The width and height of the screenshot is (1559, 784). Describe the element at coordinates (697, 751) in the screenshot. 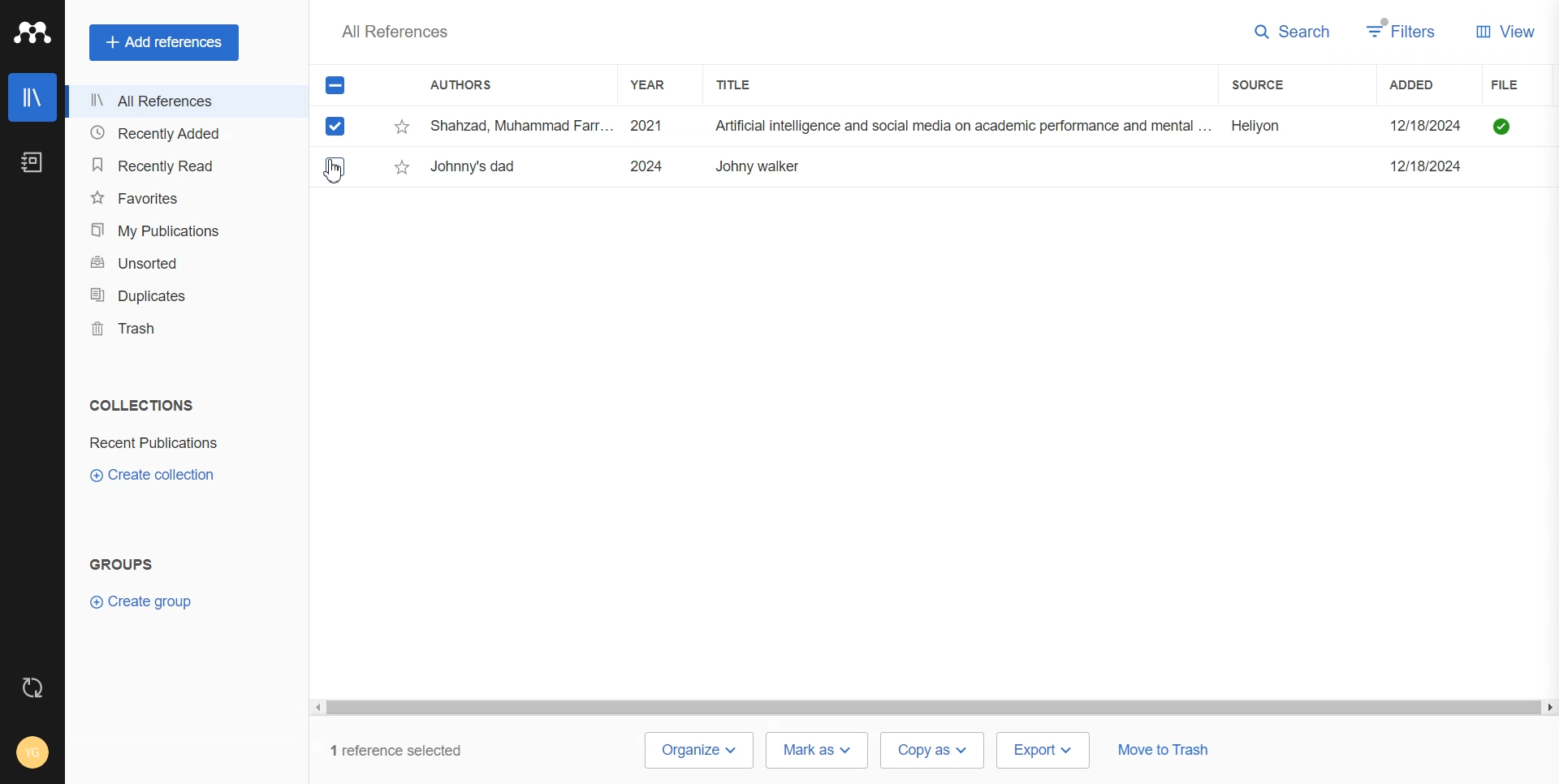

I see `Organize` at that location.